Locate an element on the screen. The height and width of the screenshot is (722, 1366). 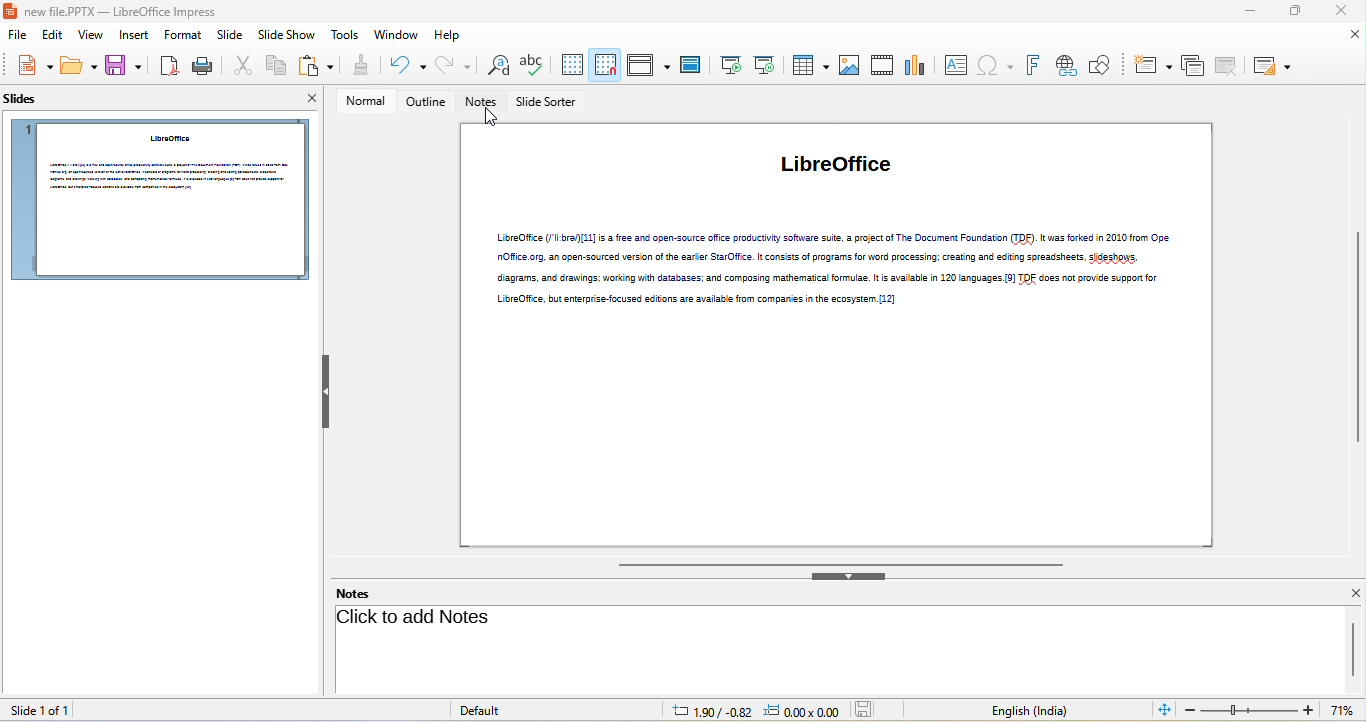
close is located at coordinates (1338, 11).